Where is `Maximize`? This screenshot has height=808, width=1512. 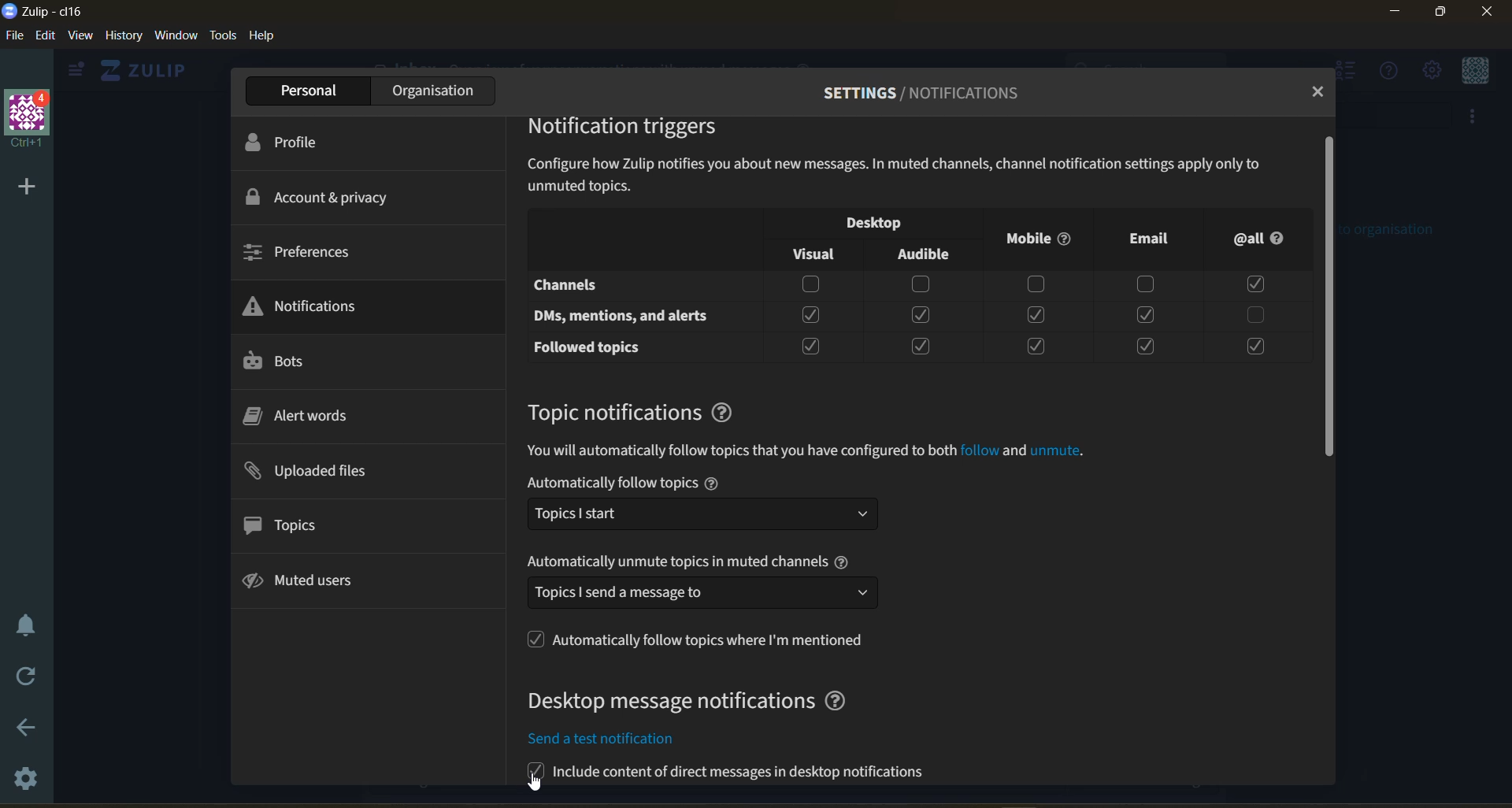
Maximize is located at coordinates (1444, 15).